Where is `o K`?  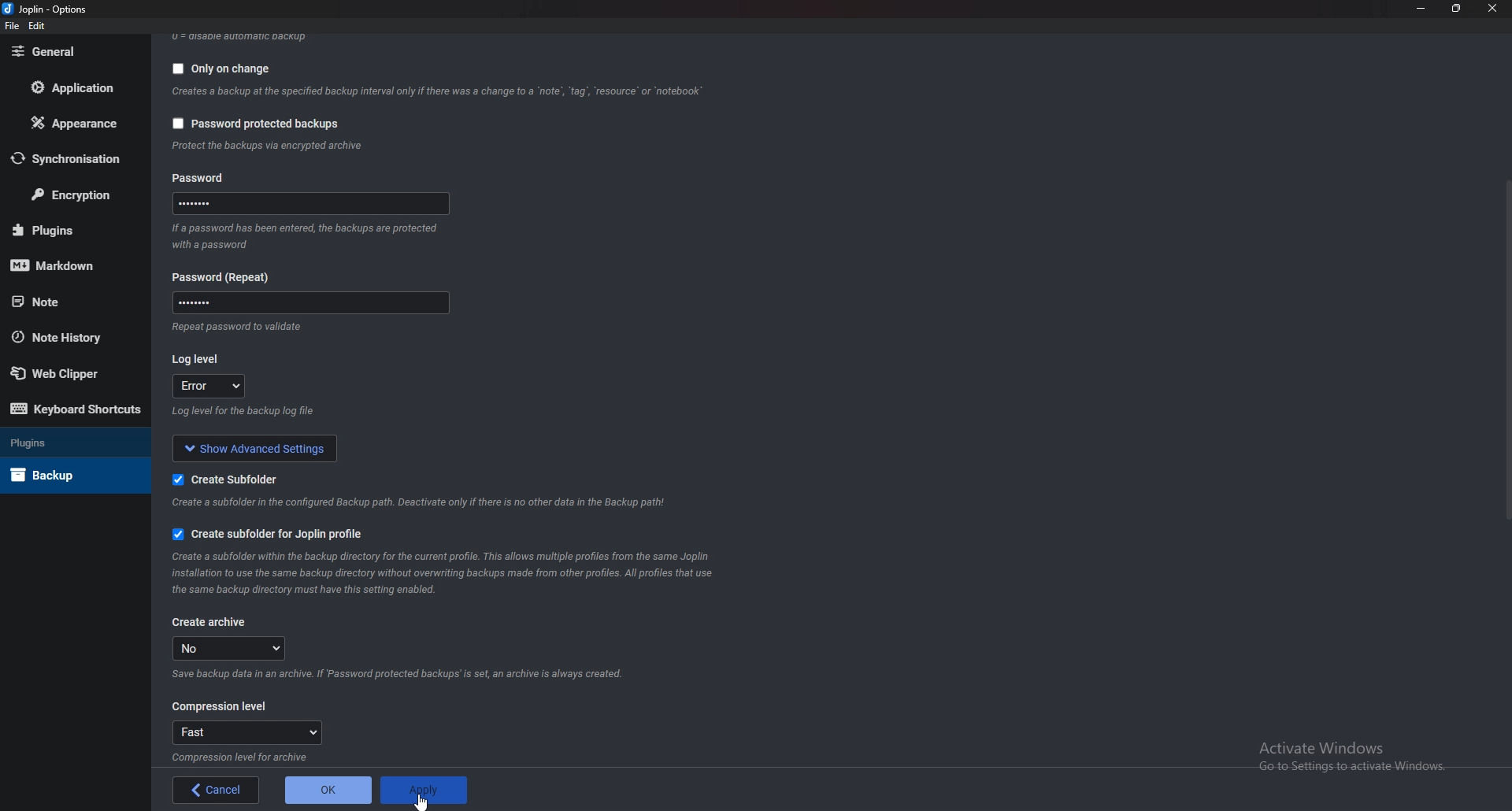 o K is located at coordinates (329, 791).